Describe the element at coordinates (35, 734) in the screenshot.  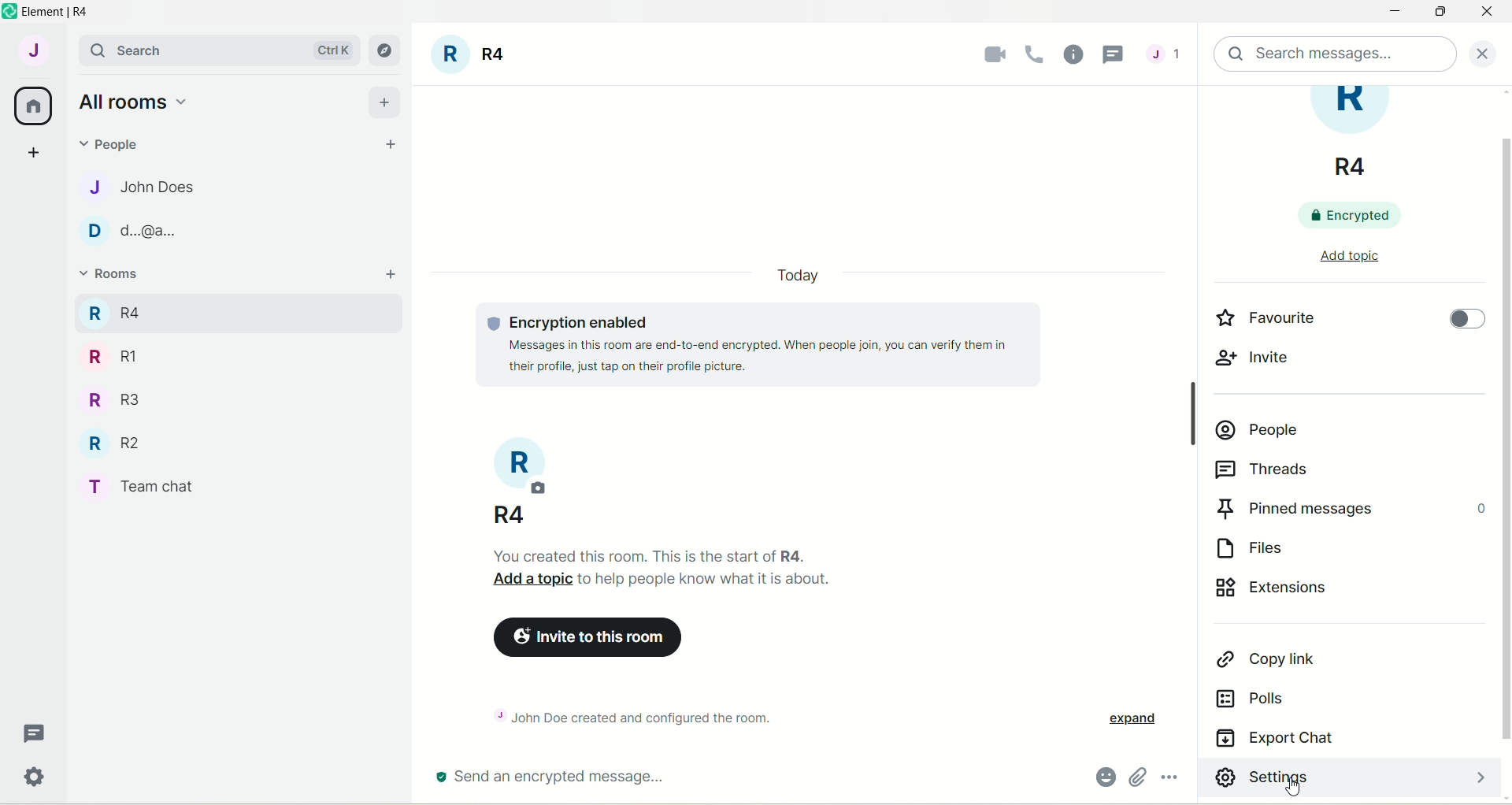
I see `threads` at that location.